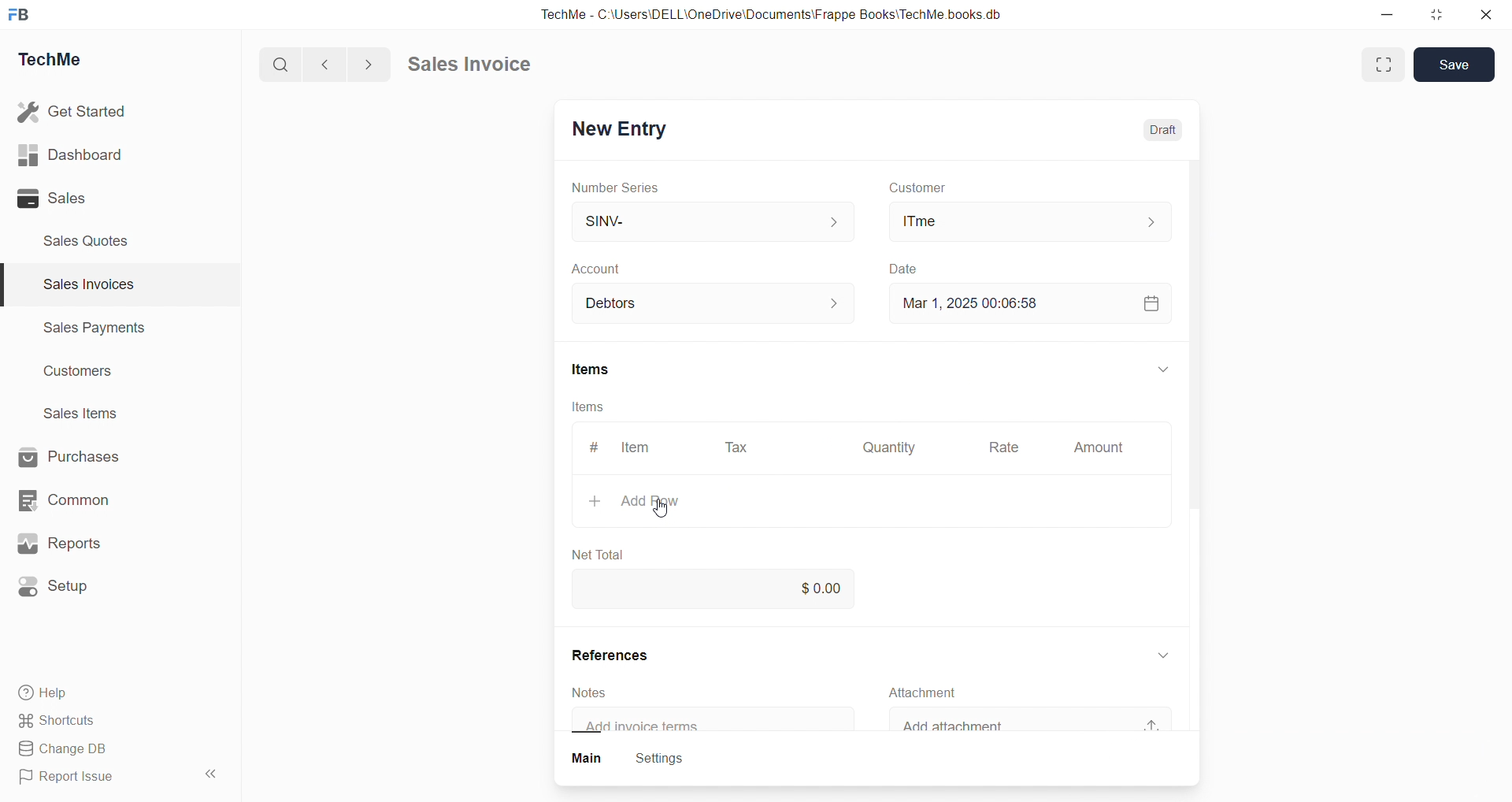  What do you see at coordinates (63, 722) in the screenshot?
I see ` Shortcuts` at bounding box center [63, 722].